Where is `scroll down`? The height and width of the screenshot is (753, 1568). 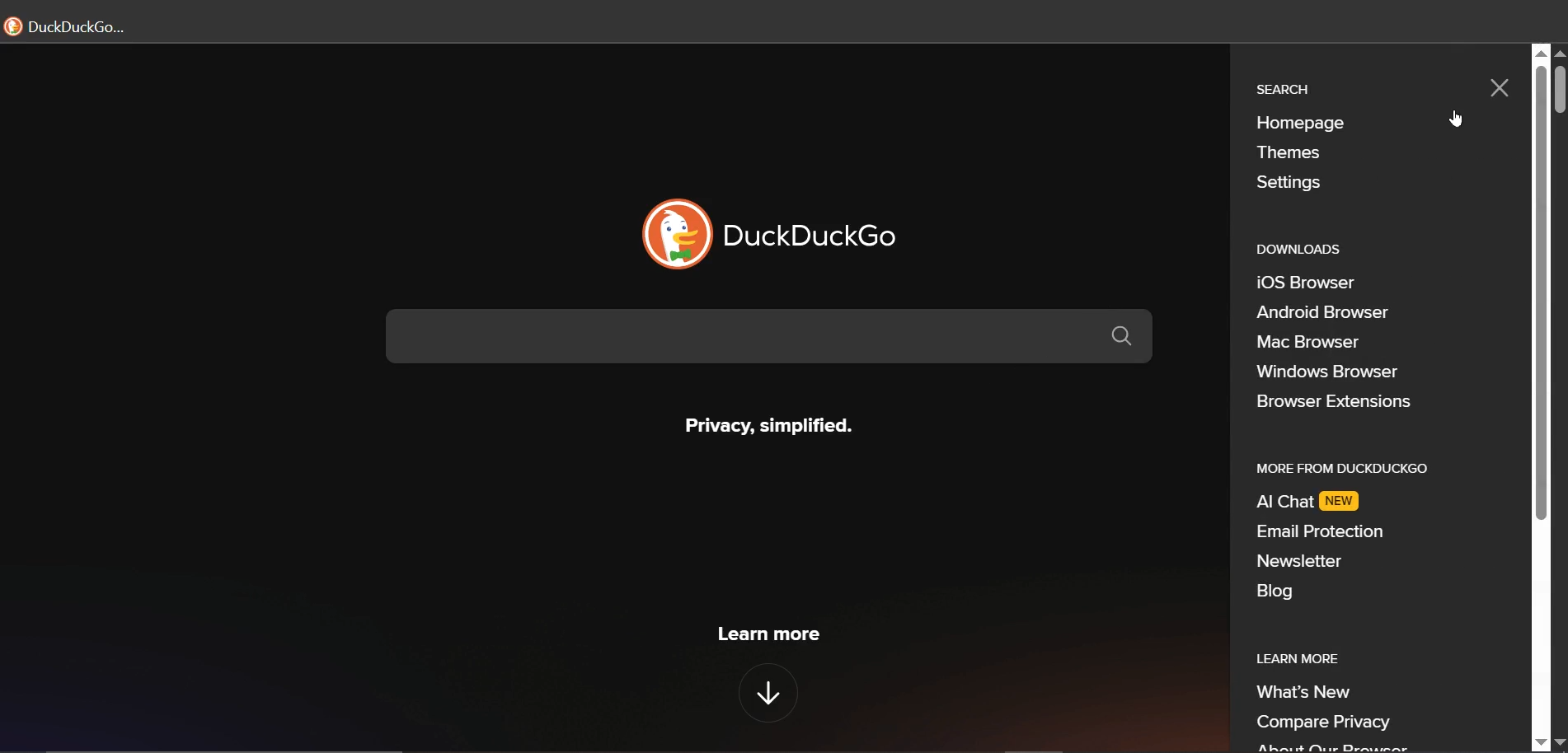 scroll down is located at coordinates (1540, 743).